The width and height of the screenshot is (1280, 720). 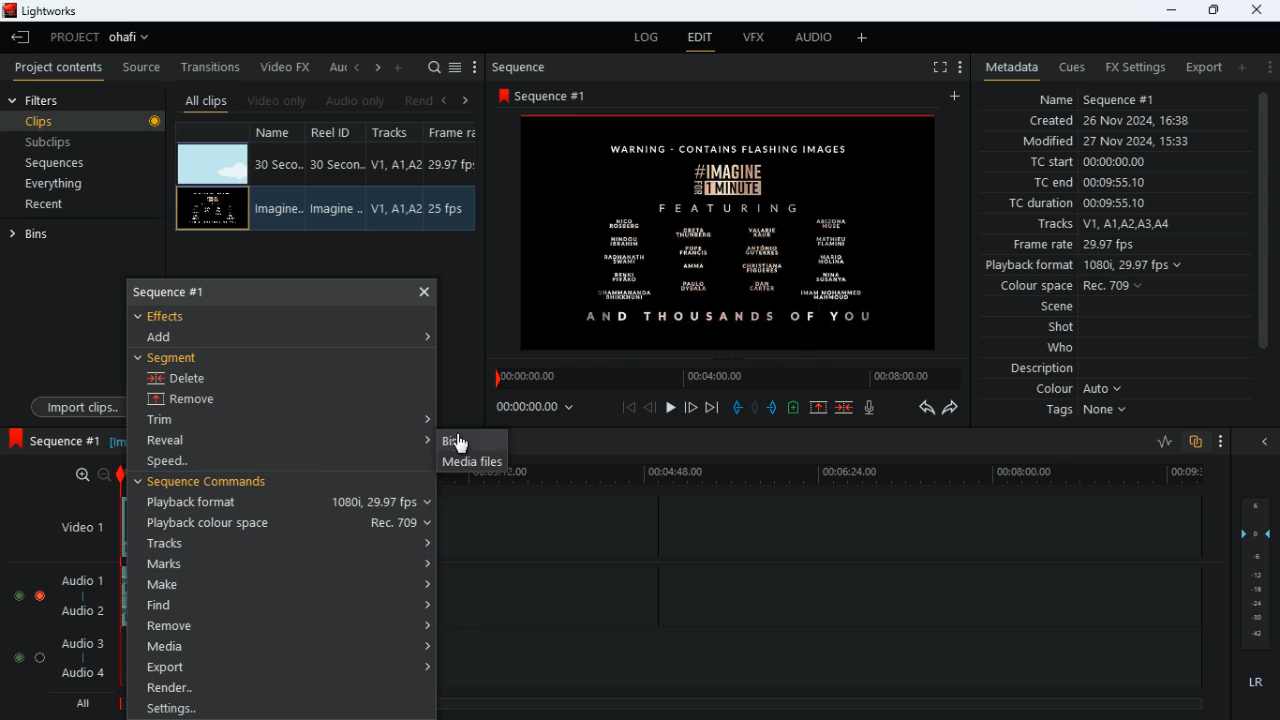 What do you see at coordinates (284, 626) in the screenshot?
I see `remove` at bounding box center [284, 626].